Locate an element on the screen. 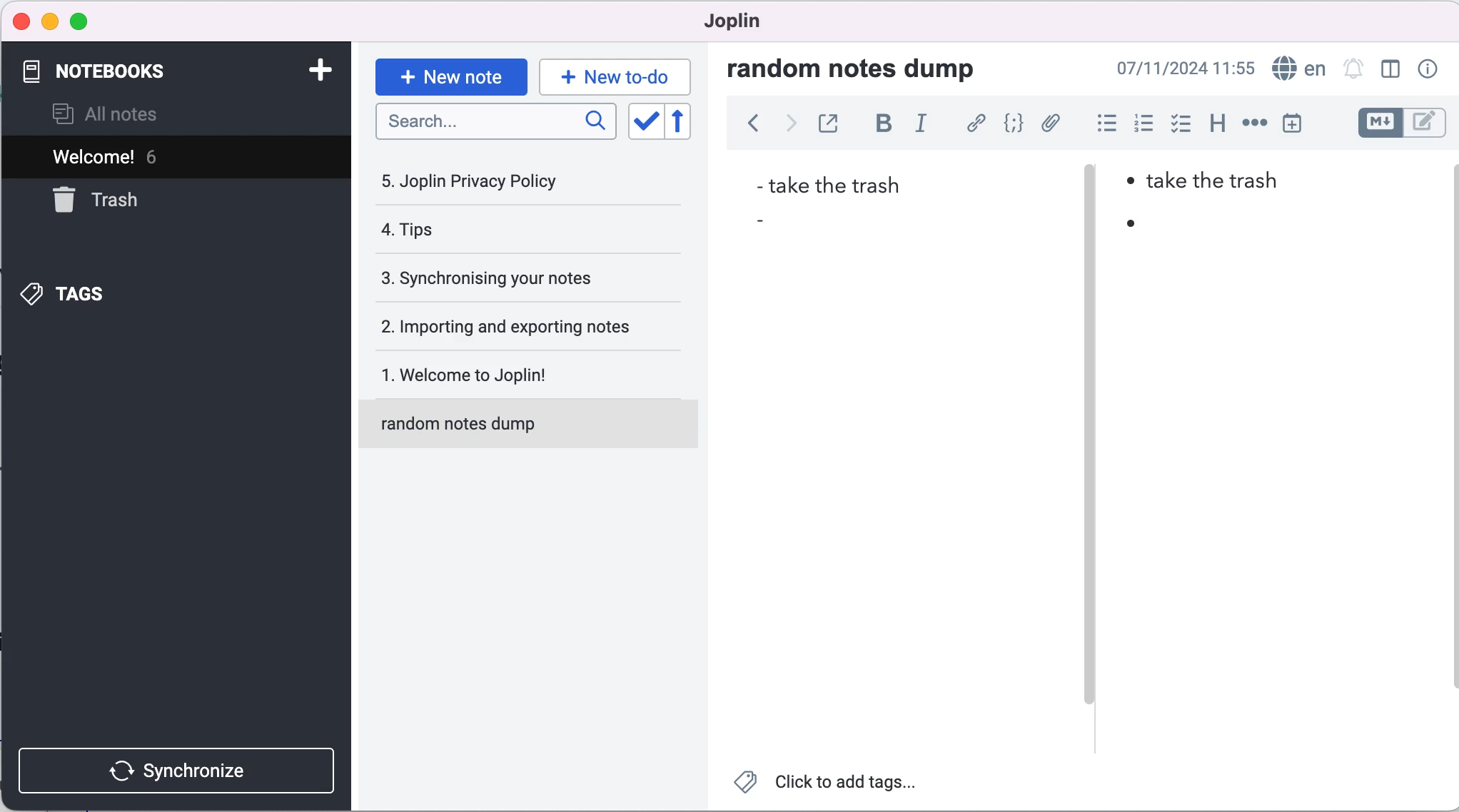 Image resolution: width=1459 pixels, height=812 pixels. code is located at coordinates (1010, 125).